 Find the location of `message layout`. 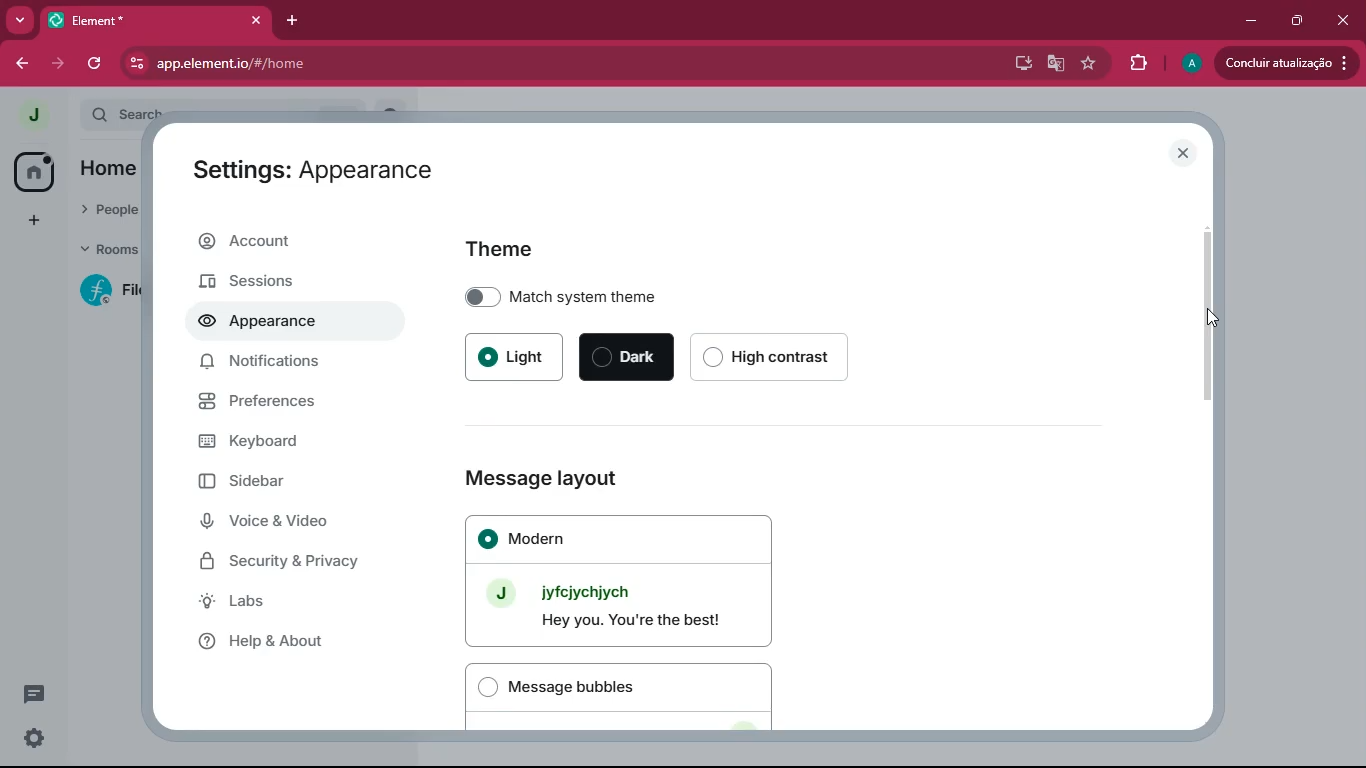

message layout is located at coordinates (622, 477).